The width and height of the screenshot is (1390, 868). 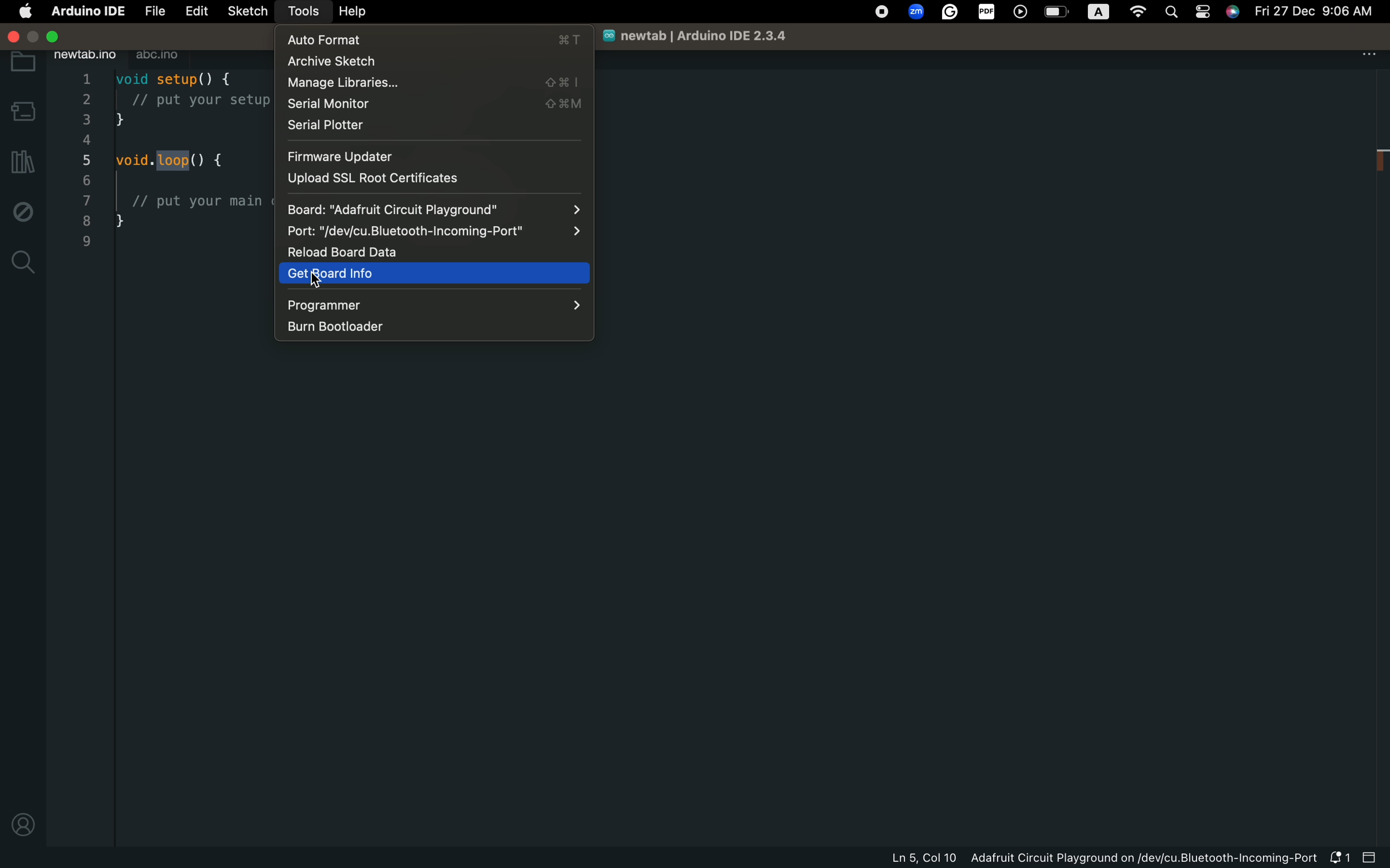 What do you see at coordinates (22, 263) in the screenshot?
I see `search` at bounding box center [22, 263].